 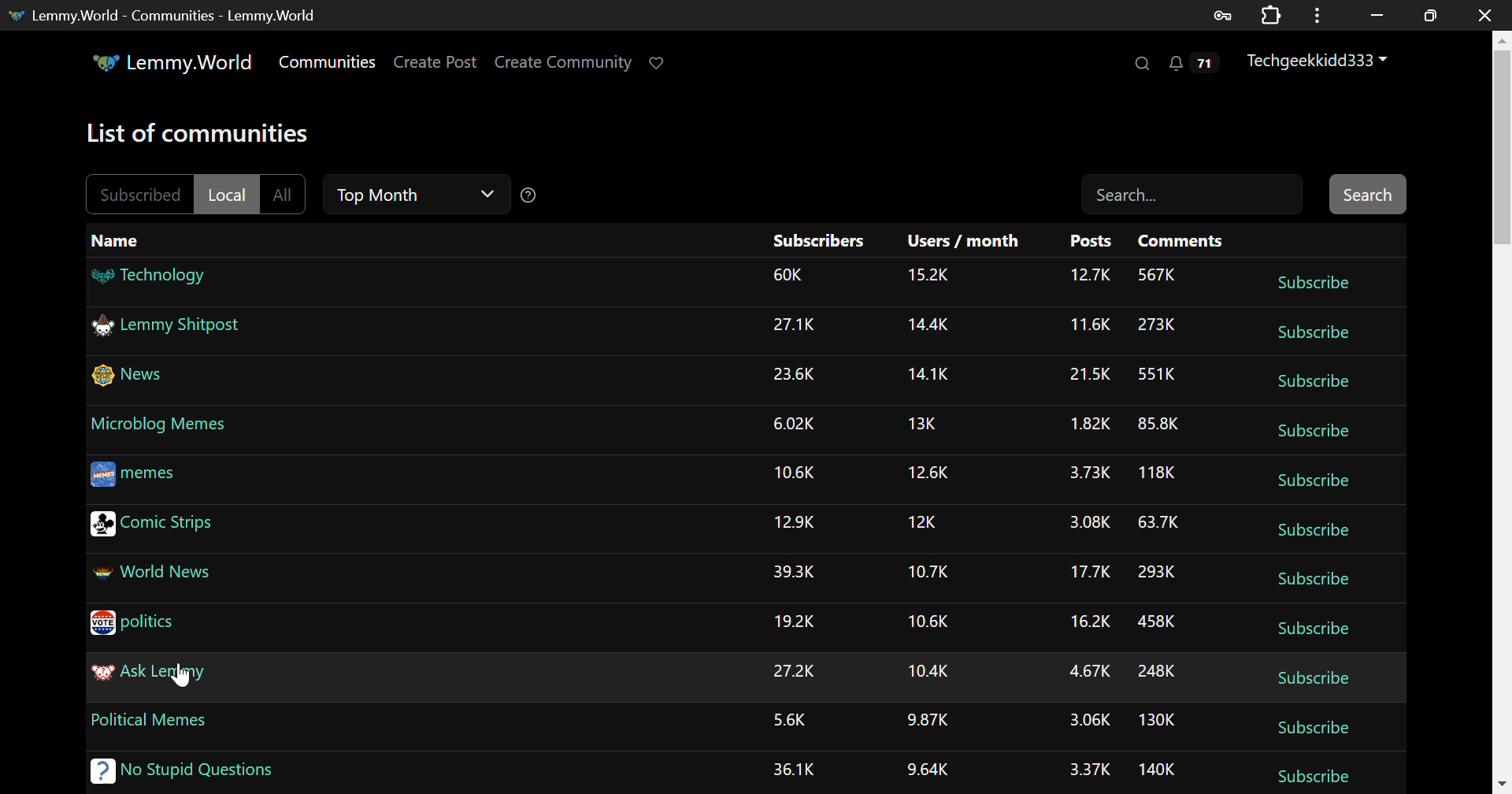 I want to click on Amount, so click(x=1158, y=573).